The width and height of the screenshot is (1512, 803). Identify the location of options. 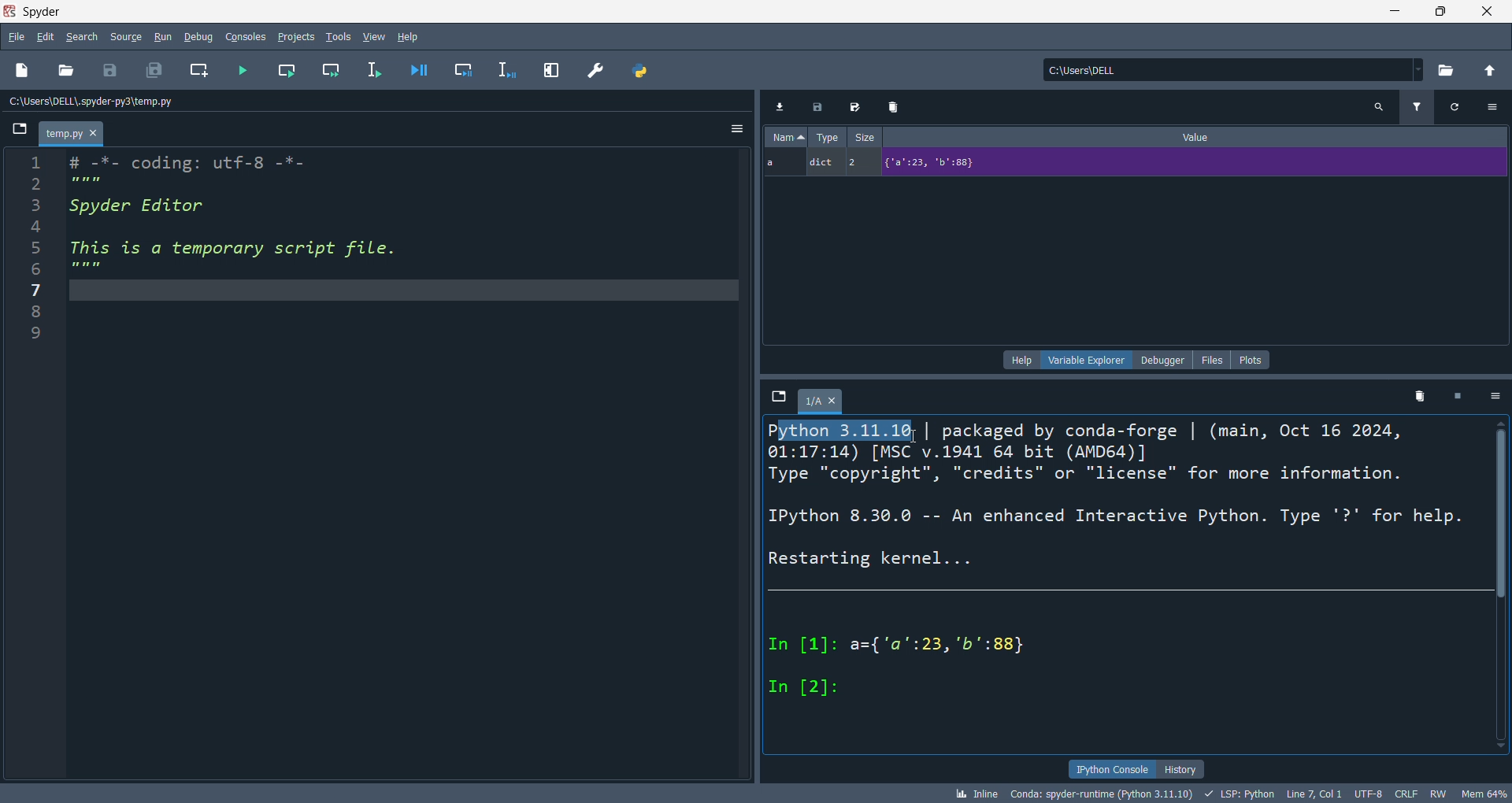
(1498, 397).